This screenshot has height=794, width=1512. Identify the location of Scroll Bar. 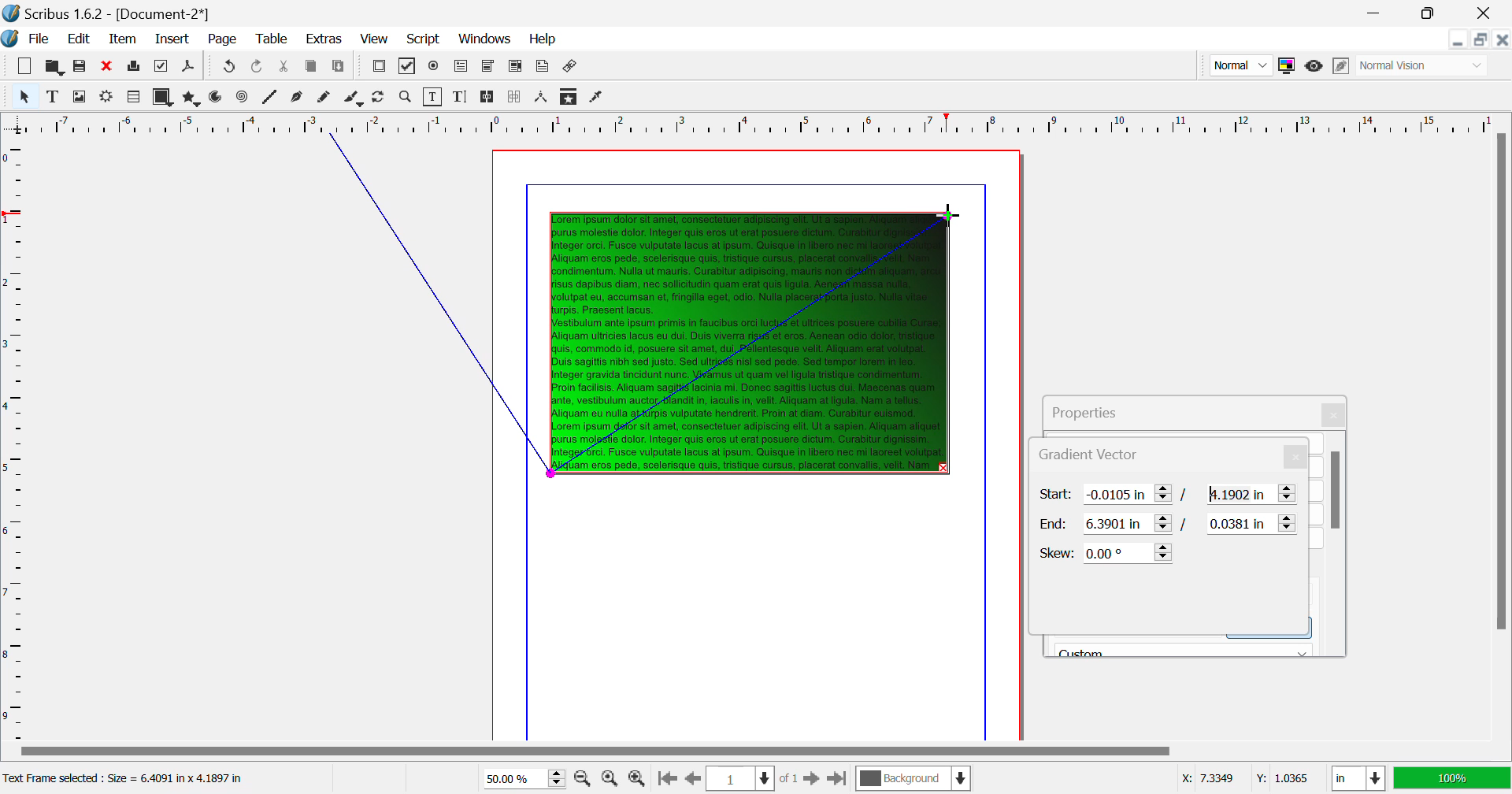
(755, 752).